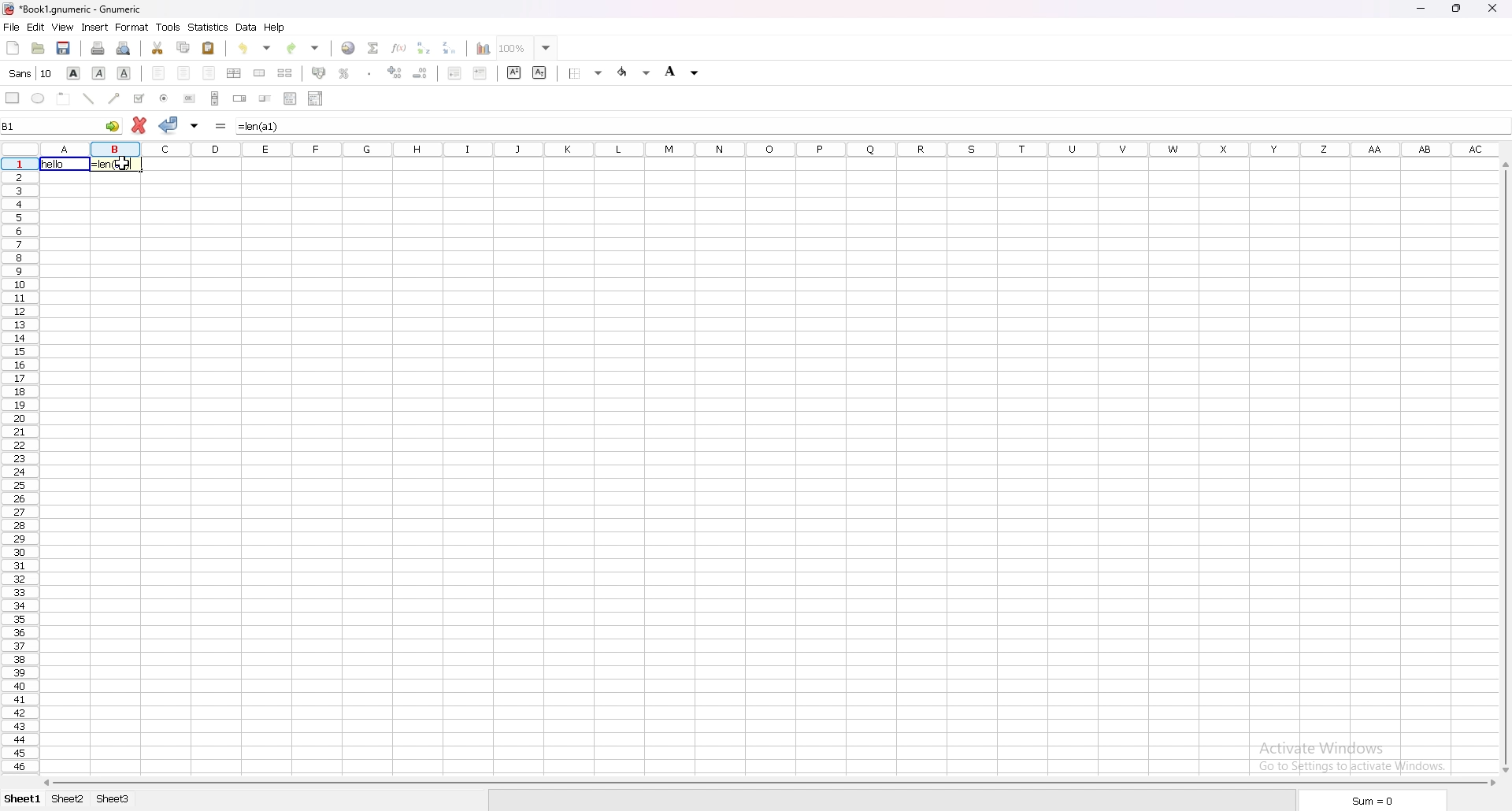 This screenshot has height=811, width=1512. I want to click on save, so click(65, 49).